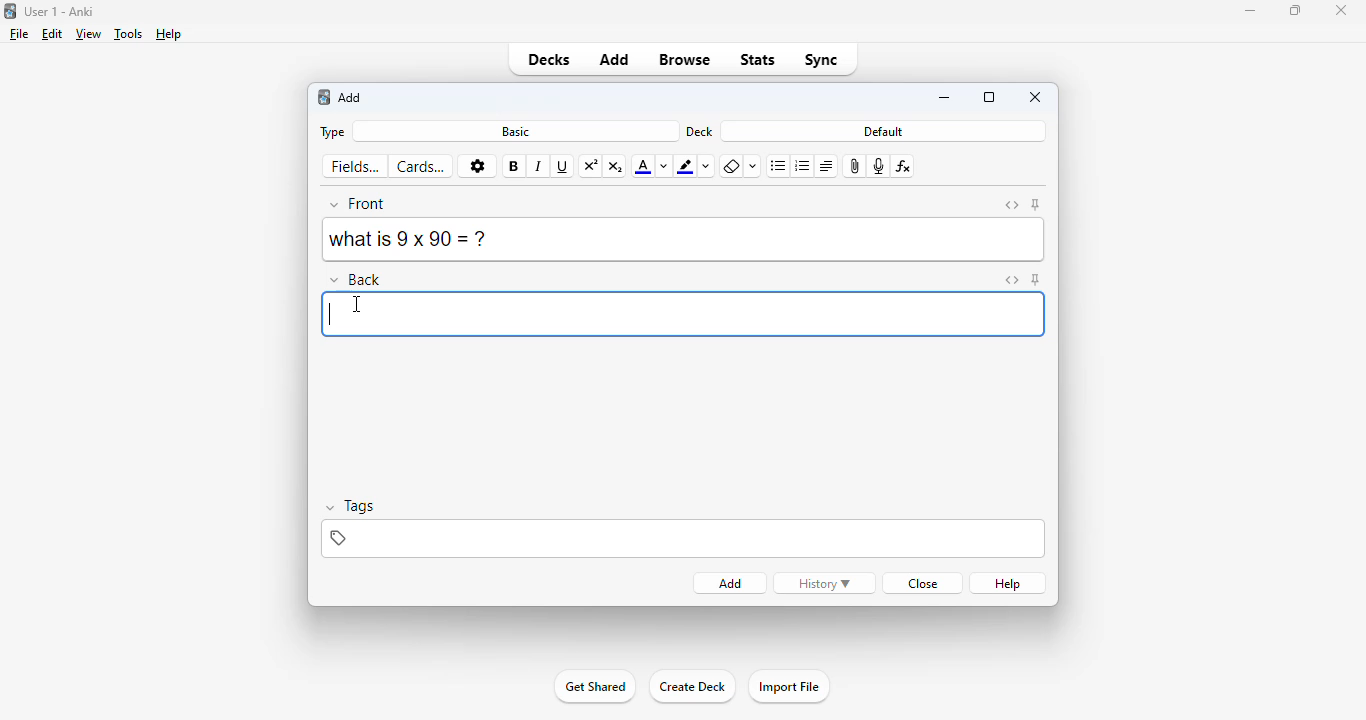 This screenshot has height=720, width=1366. I want to click on logo, so click(9, 11).